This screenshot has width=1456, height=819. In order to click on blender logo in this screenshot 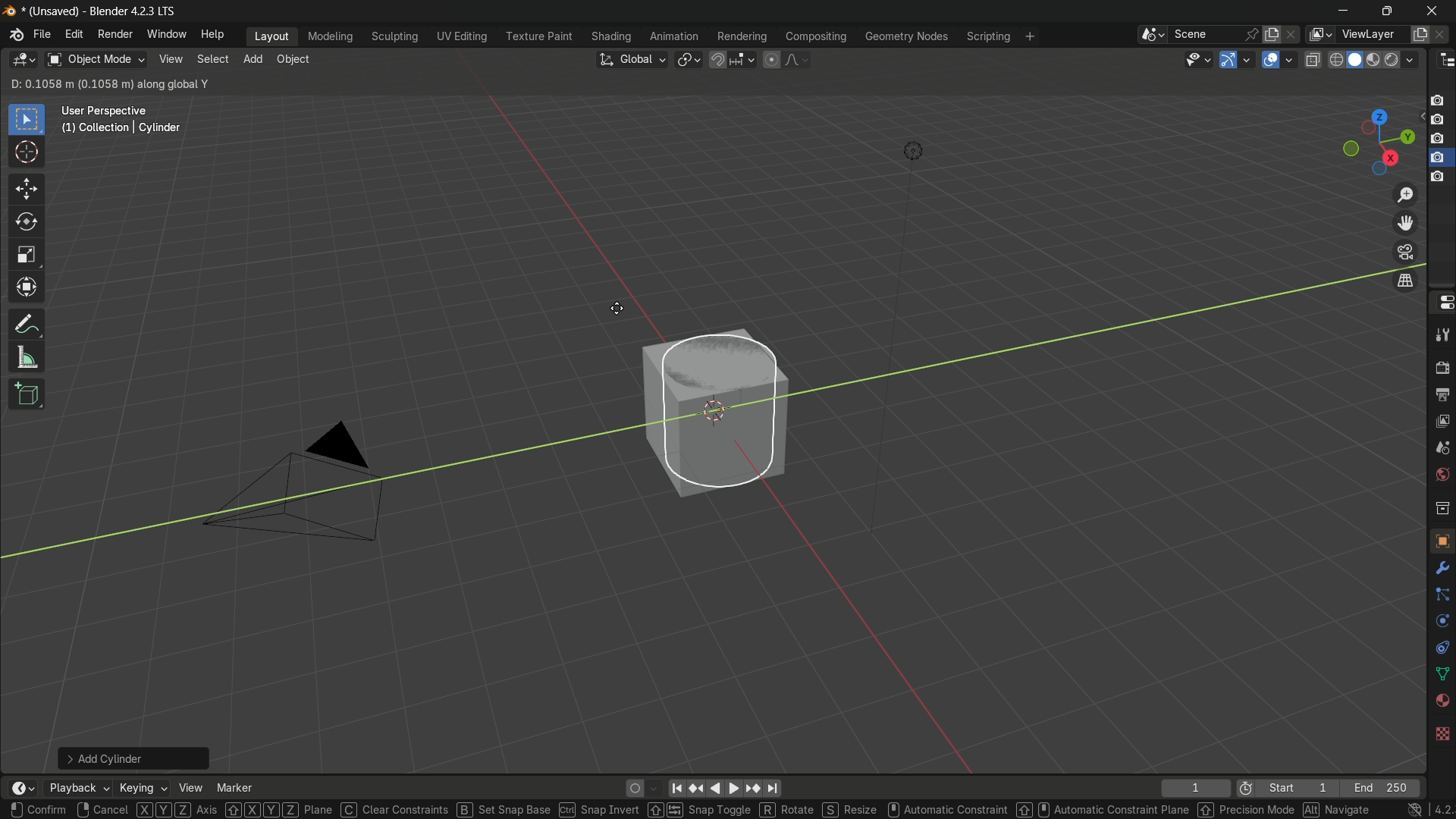, I will do `click(11, 11)`.